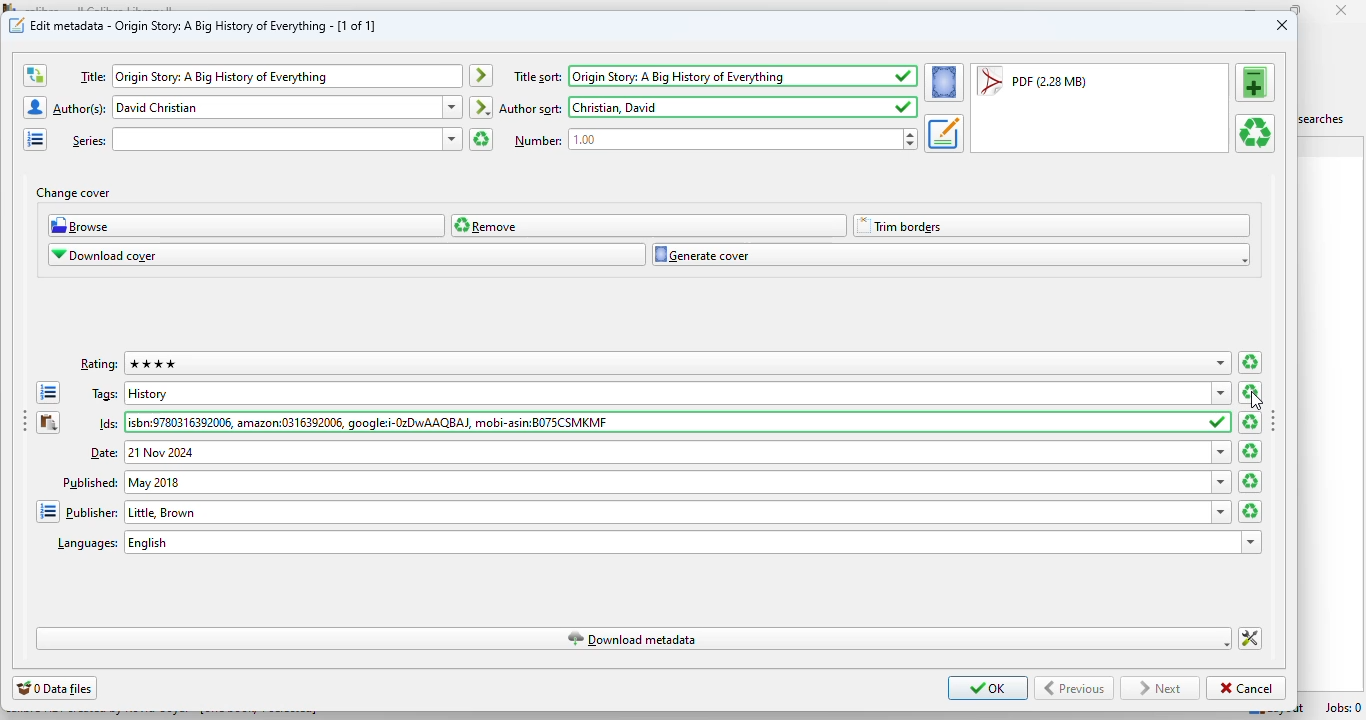 The height and width of the screenshot is (720, 1366). I want to click on dropdown, so click(453, 139).